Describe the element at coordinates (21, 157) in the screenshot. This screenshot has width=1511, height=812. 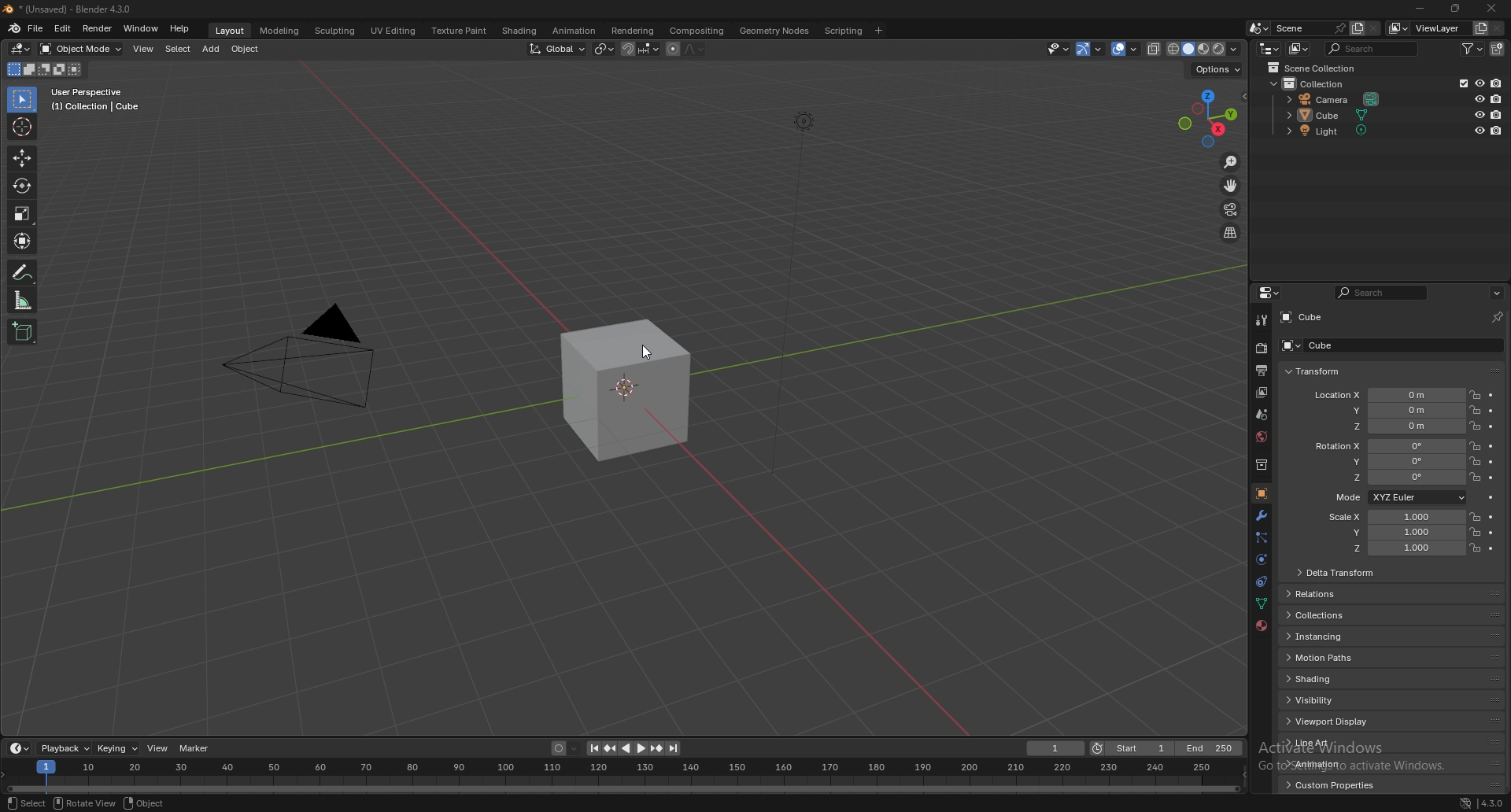
I see `move` at that location.